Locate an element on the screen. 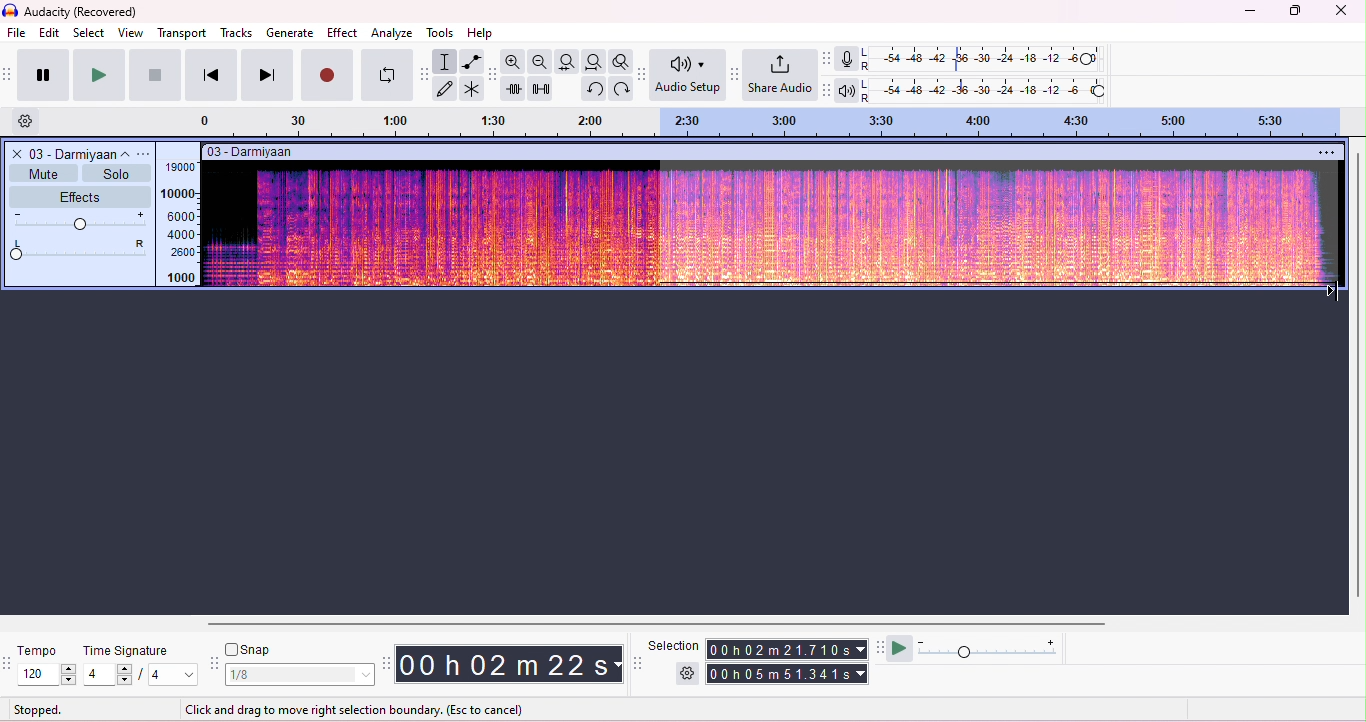 This screenshot has width=1366, height=722. playback level is located at coordinates (986, 89).